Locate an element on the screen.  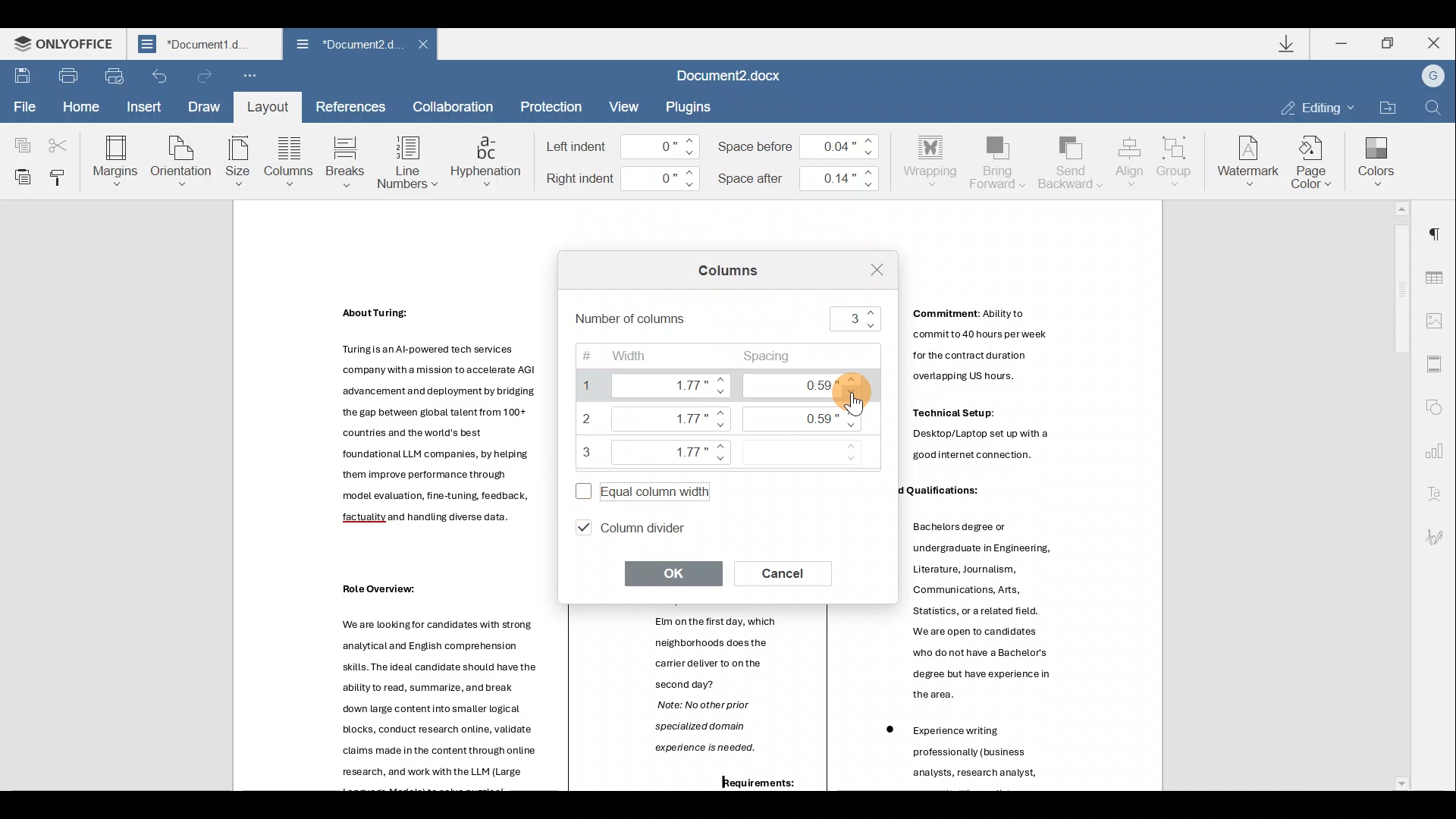
Plugin is located at coordinates (697, 106).